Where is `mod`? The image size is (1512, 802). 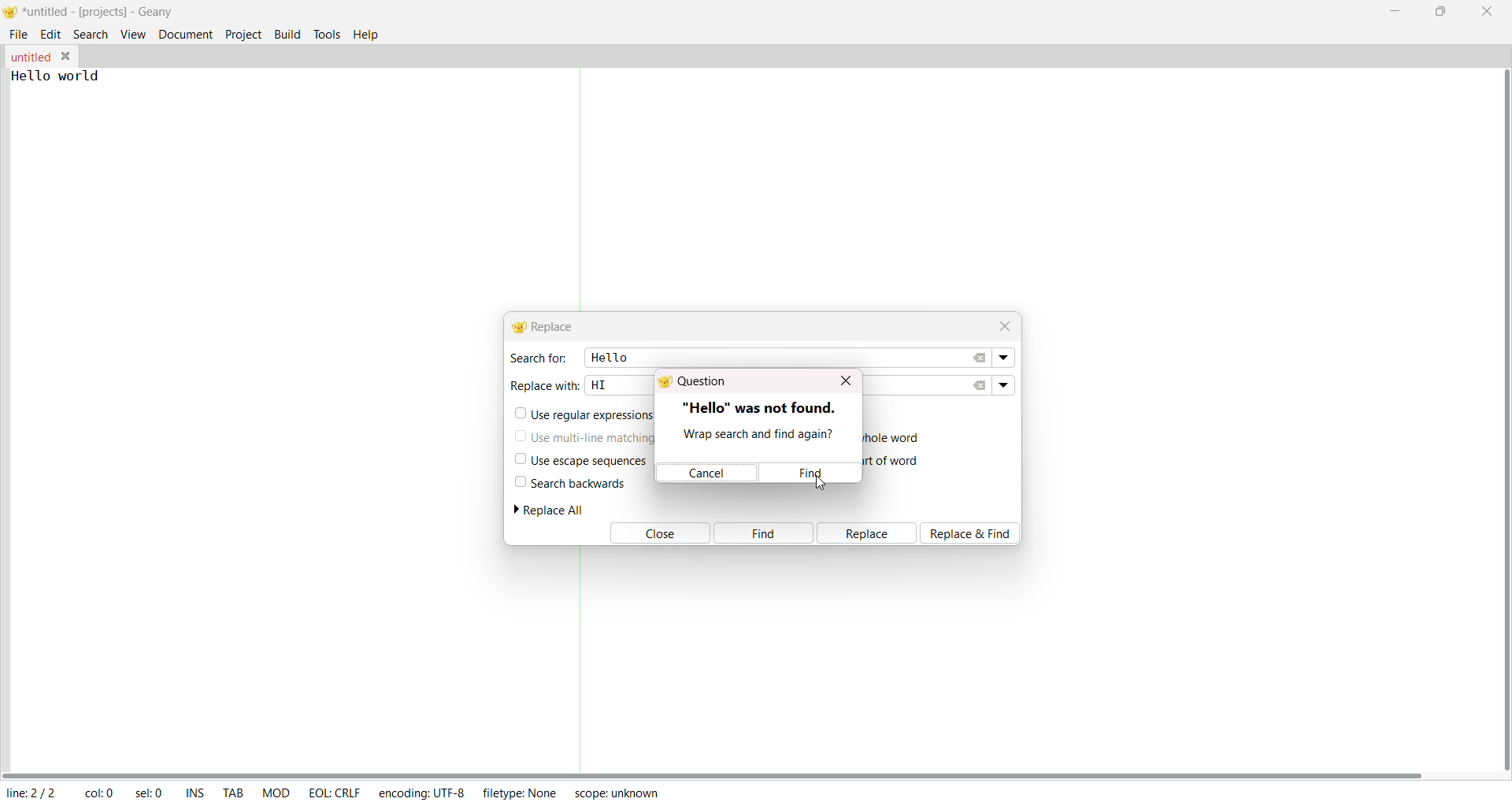 mod is located at coordinates (276, 792).